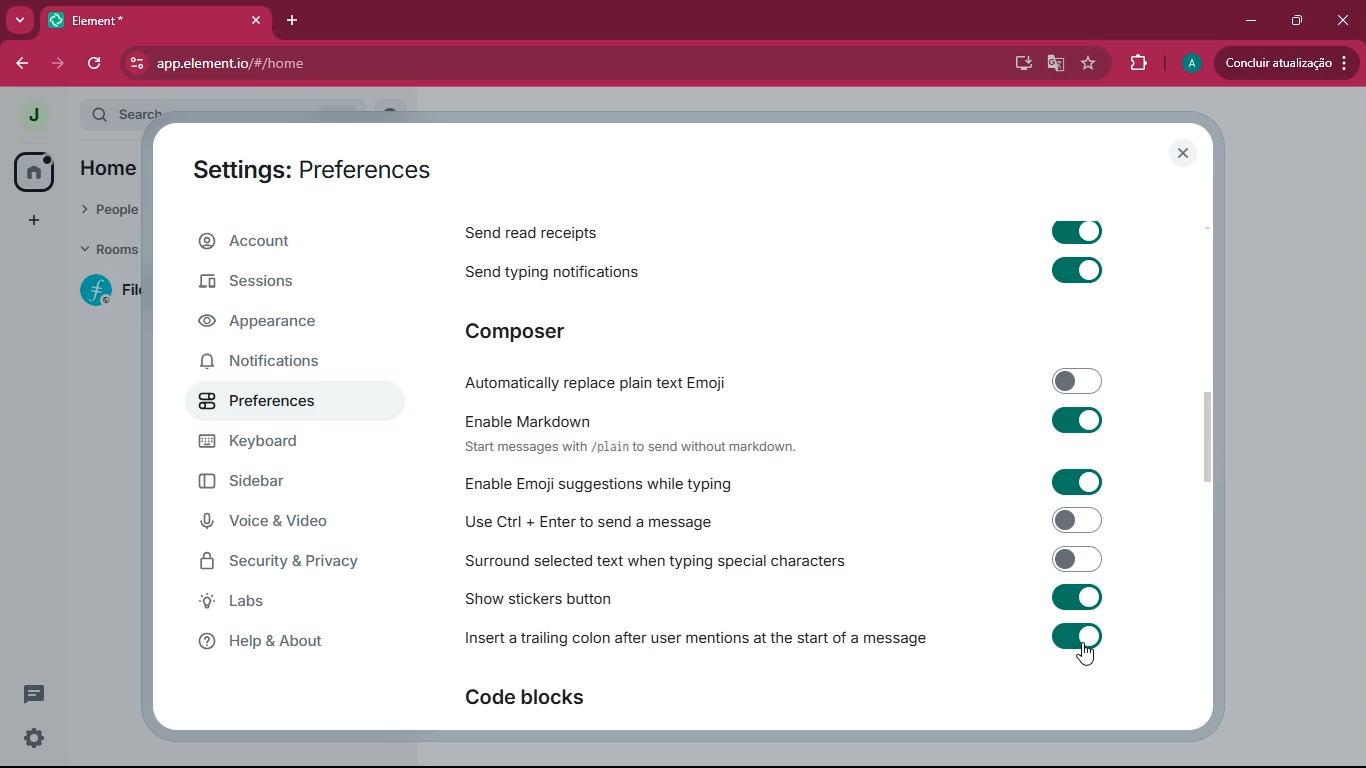  Describe the element at coordinates (782, 559) in the screenshot. I see `Surround selected text when typing special characters` at that location.